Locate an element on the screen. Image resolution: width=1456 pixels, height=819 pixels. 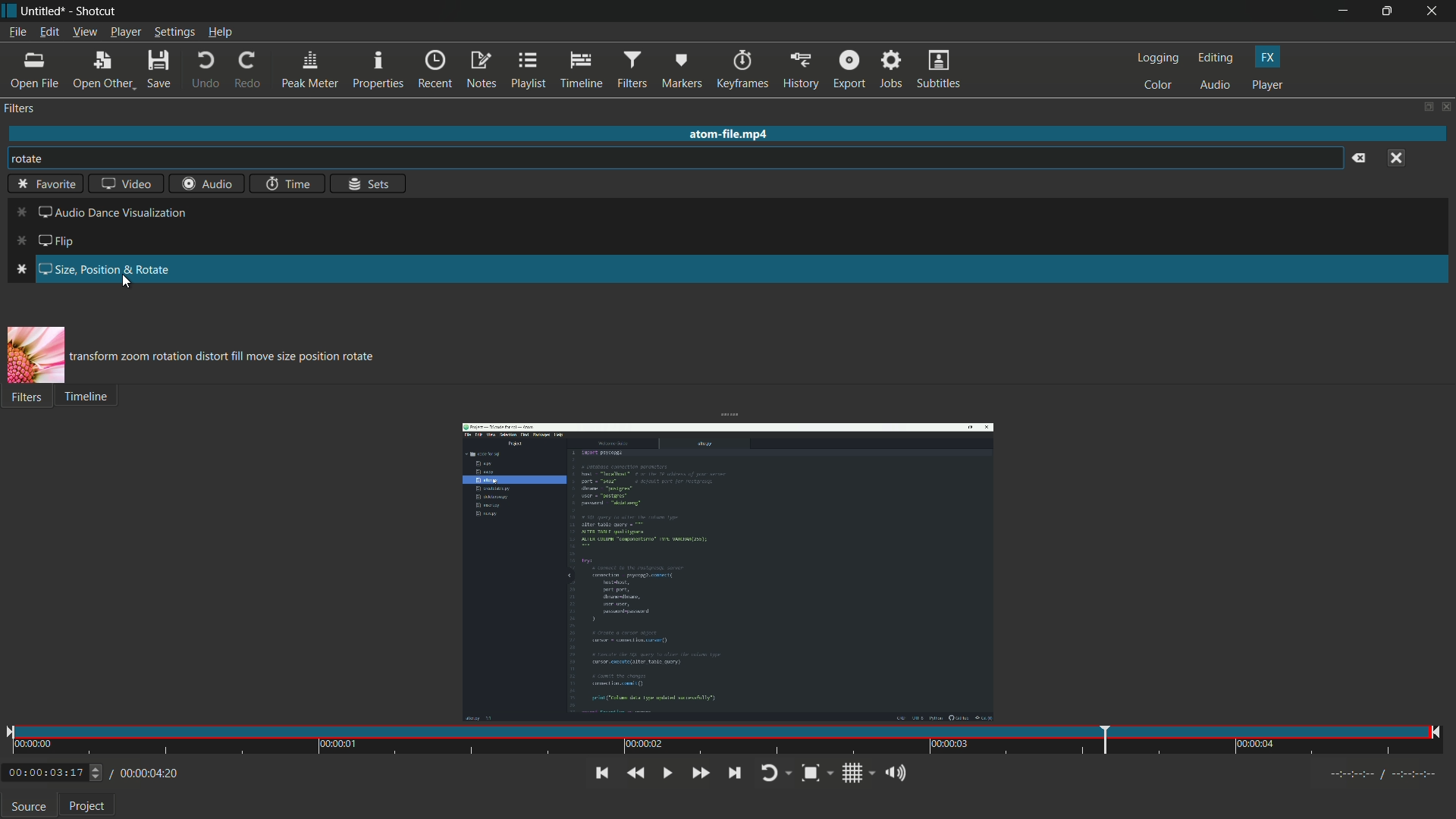
filters is located at coordinates (20, 108).